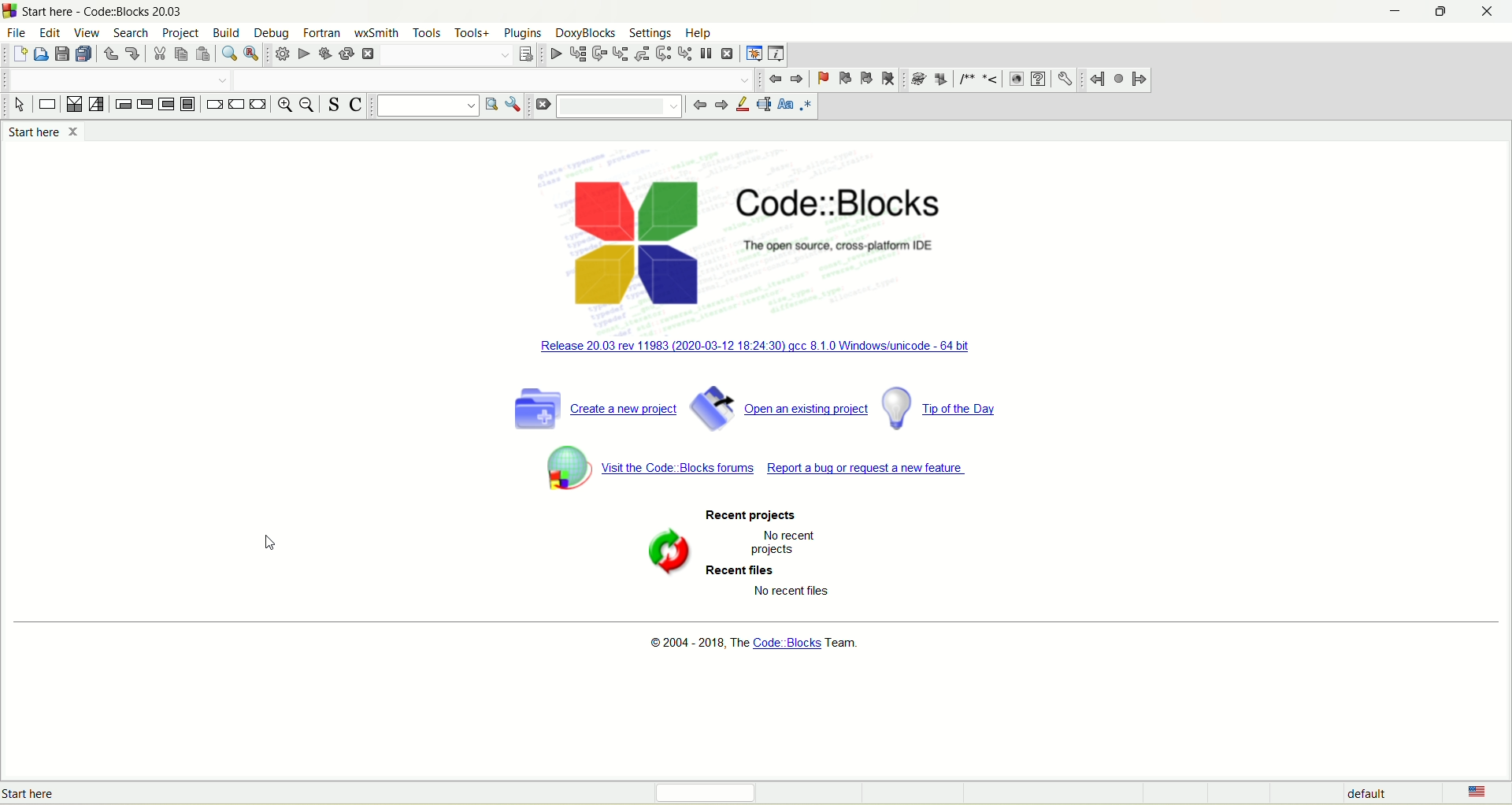 This screenshot has height=805, width=1512. Describe the element at coordinates (955, 79) in the screenshot. I see `symbols` at that location.